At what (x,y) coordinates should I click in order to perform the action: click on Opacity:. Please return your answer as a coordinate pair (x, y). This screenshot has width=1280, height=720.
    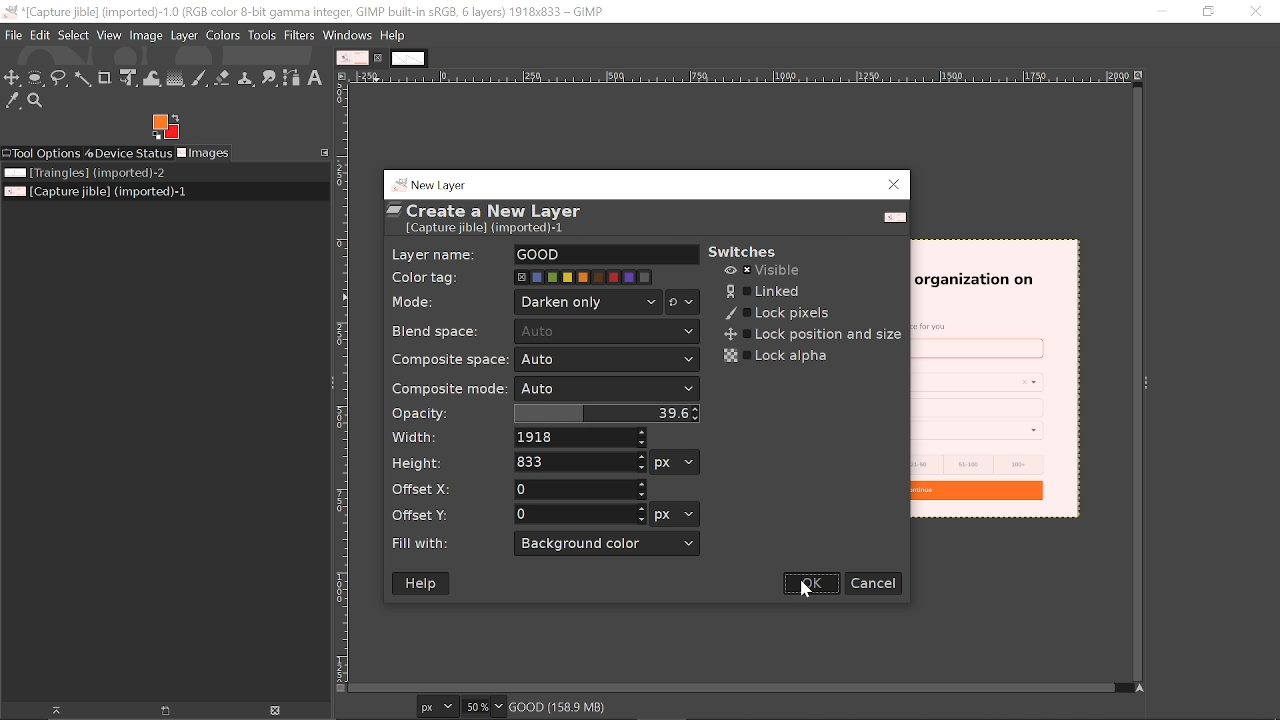
    Looking at the image, I should click on (421, 414).